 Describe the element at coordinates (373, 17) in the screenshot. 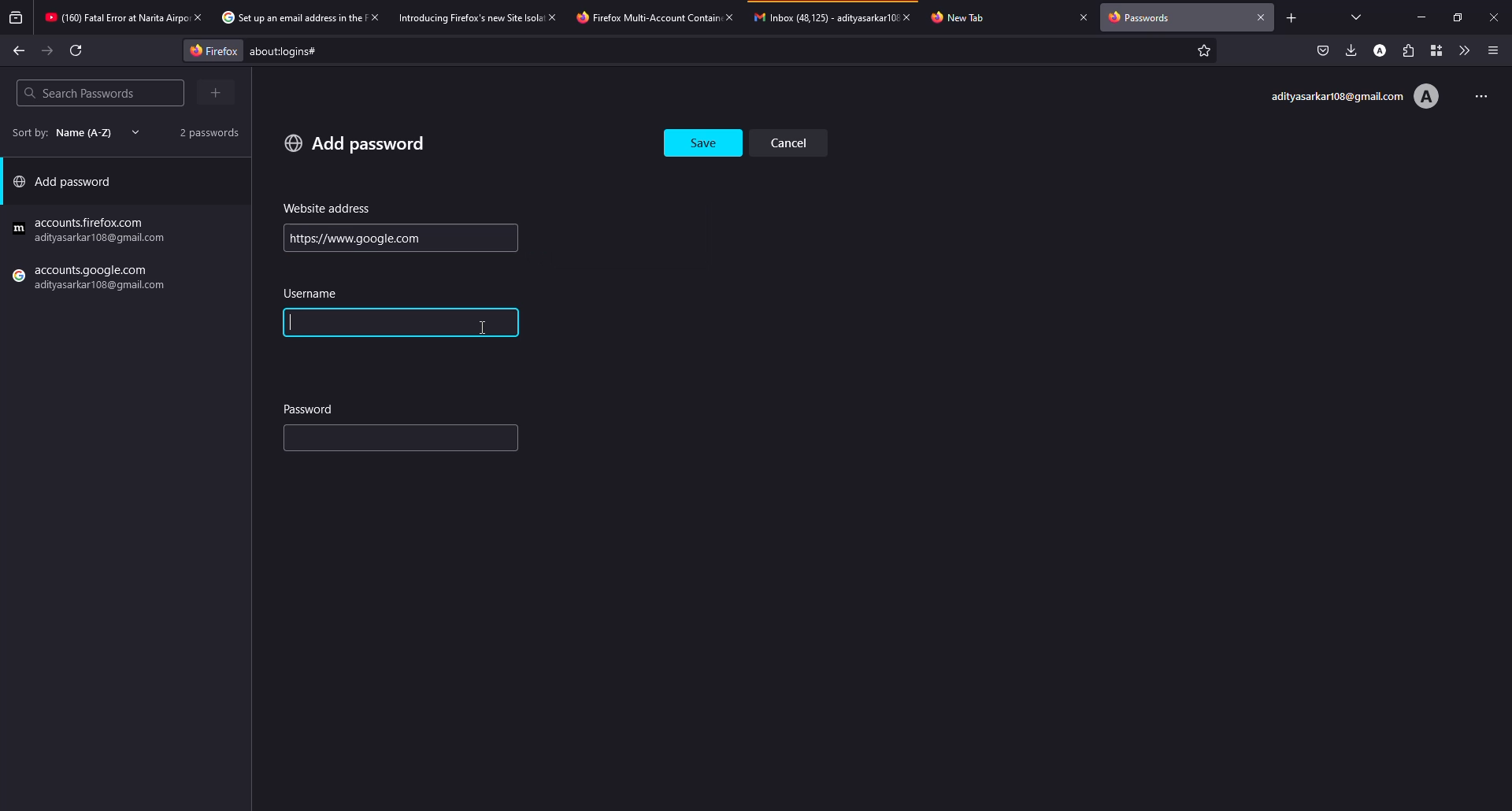

I see `close` at that location.